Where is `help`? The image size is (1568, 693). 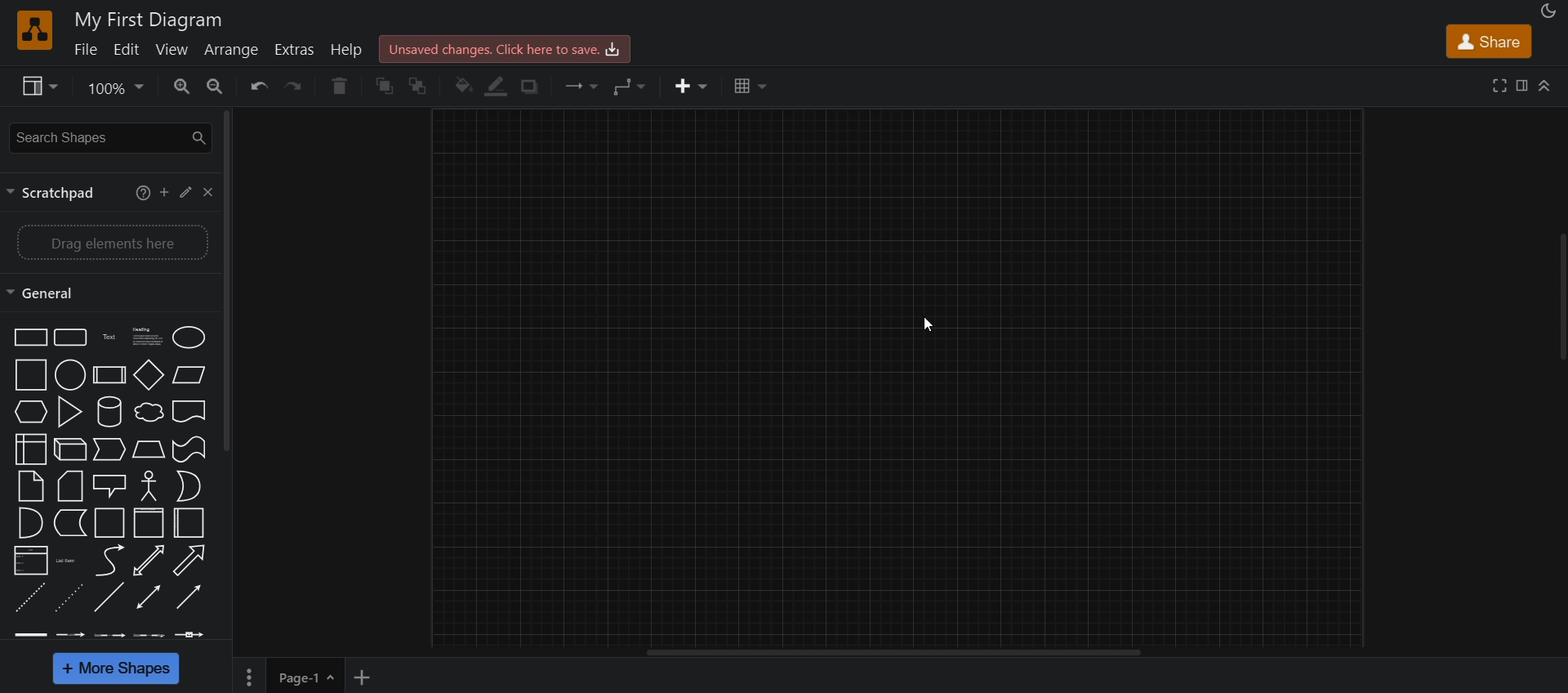
help is located at coordinates (346, 51).